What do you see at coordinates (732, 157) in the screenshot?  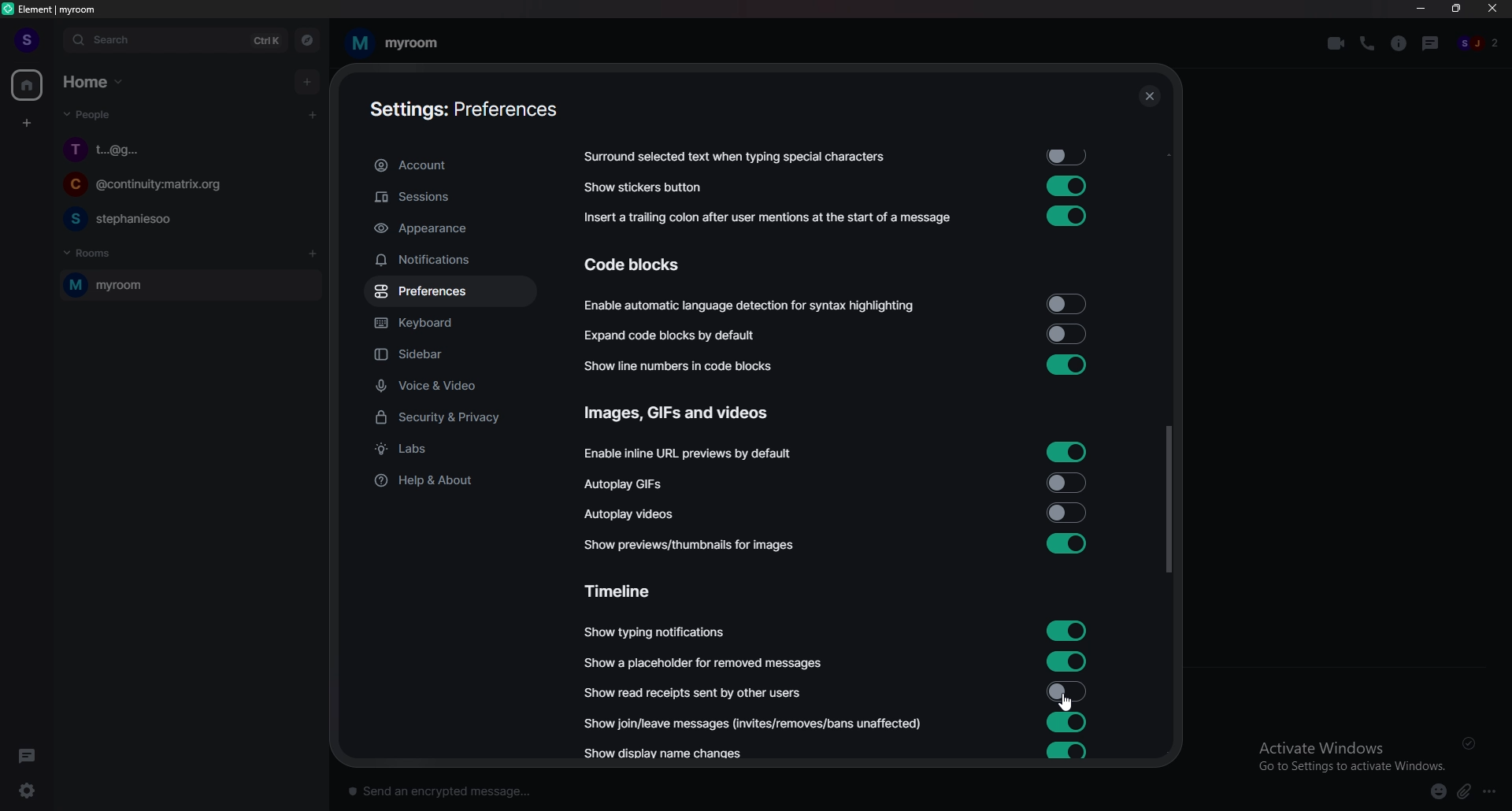 I see `surround selected text when typing special characters` at bounding box center [732, 157].